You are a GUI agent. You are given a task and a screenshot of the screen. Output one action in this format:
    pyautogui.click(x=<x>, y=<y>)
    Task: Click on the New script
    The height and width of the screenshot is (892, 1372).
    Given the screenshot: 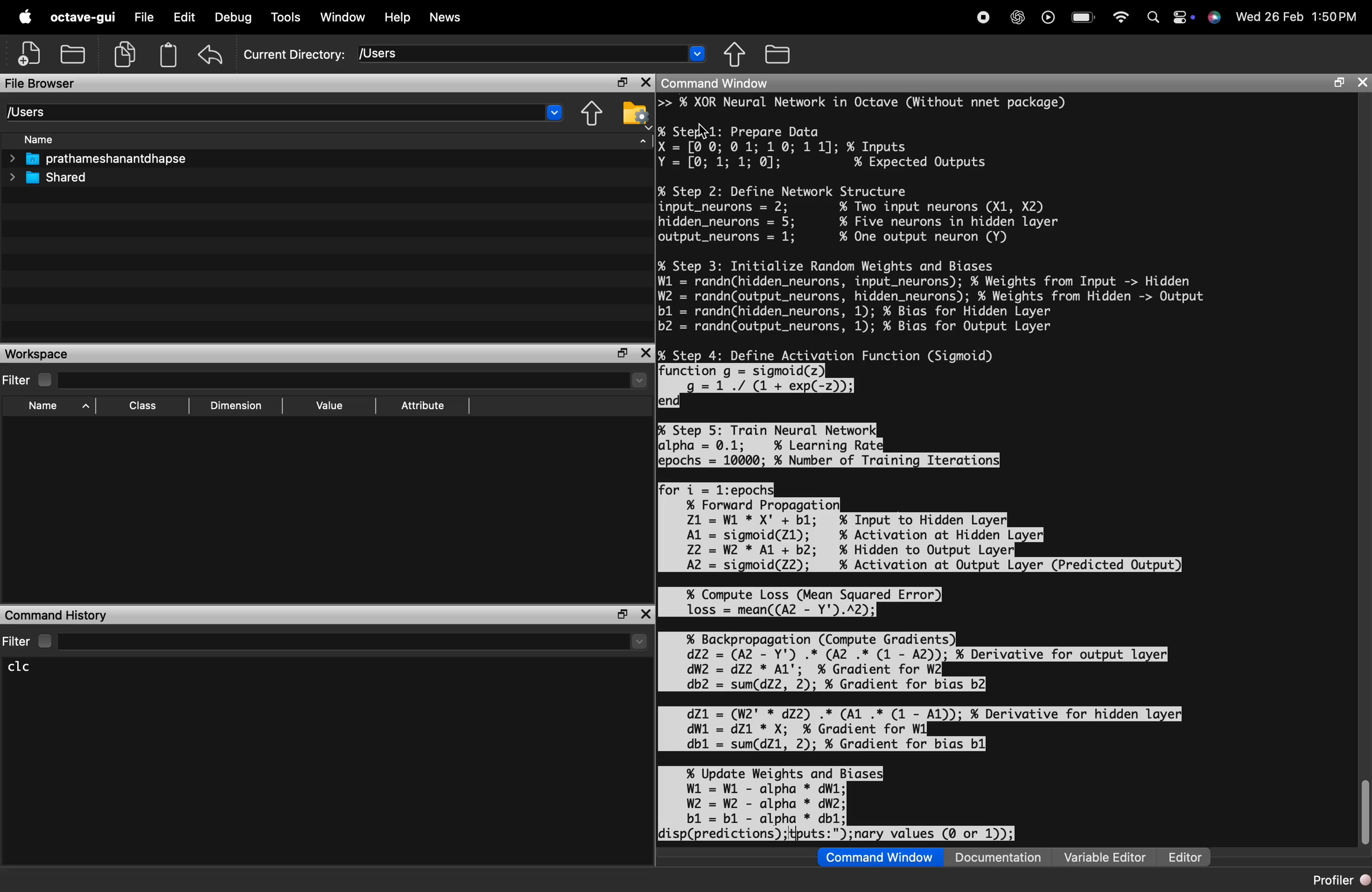 What is the action you would take?
    pyautogui.click(x=31, y=54)
    